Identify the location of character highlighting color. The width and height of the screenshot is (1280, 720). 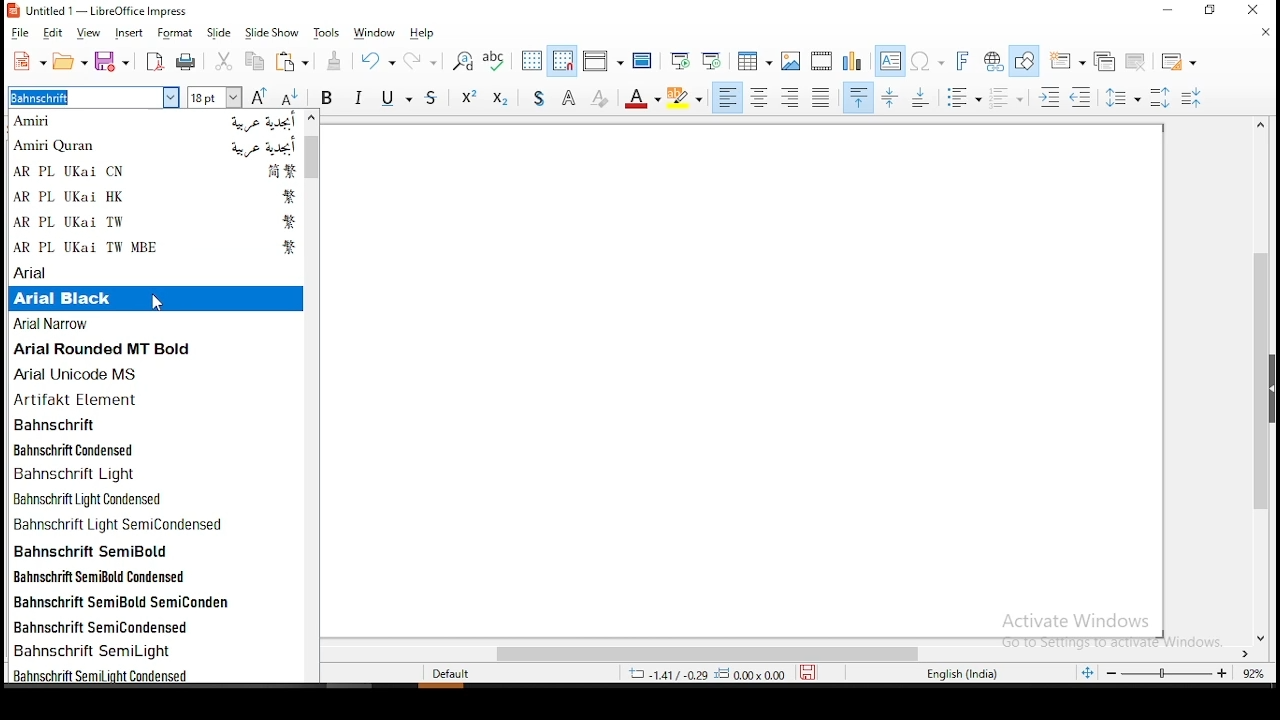
(687, 98).